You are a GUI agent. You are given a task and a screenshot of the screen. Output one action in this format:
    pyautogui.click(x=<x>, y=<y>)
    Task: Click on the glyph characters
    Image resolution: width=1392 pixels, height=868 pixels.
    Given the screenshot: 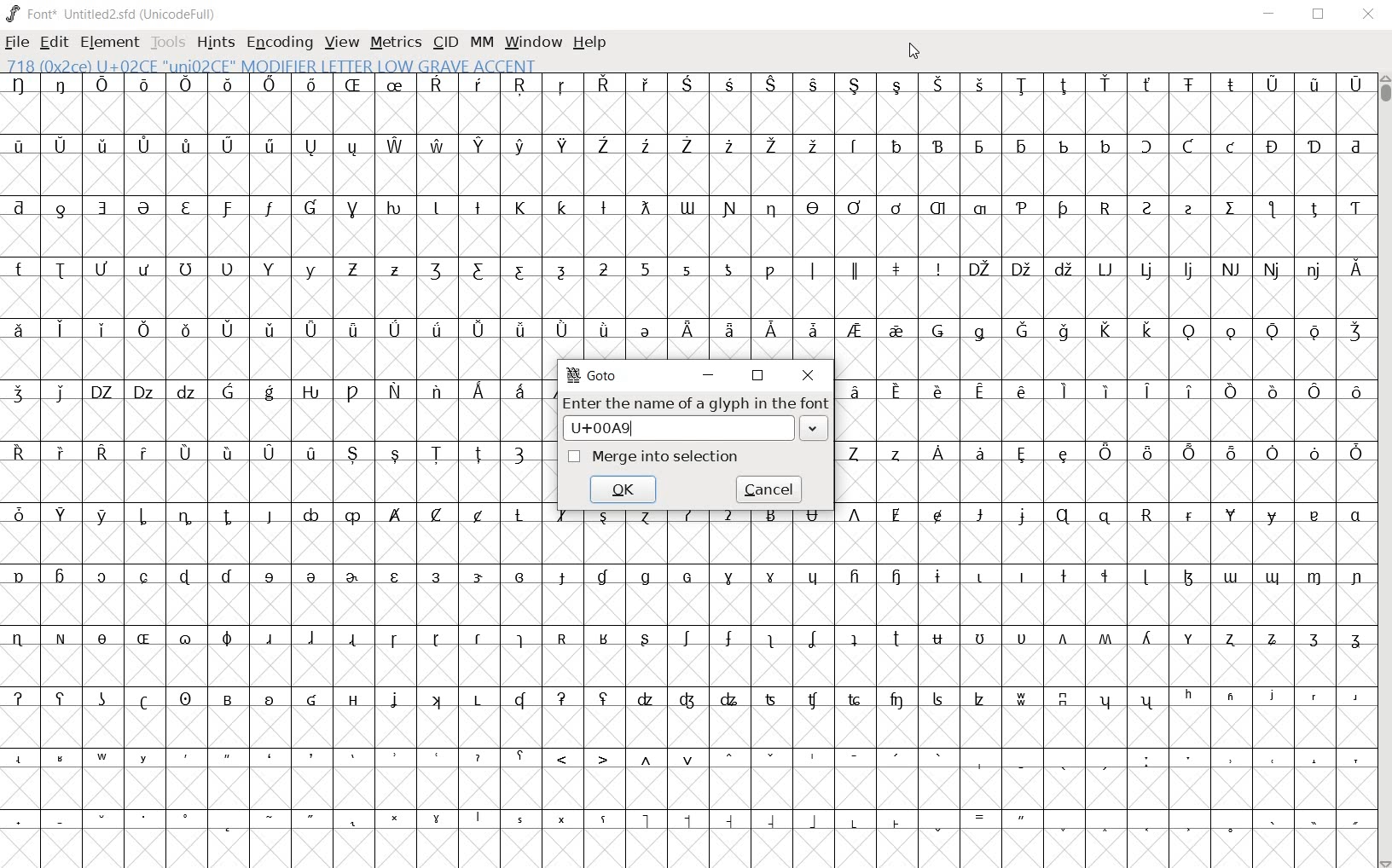 What is the action you would take?
    pyautogui.click(x=960, y=216)
    